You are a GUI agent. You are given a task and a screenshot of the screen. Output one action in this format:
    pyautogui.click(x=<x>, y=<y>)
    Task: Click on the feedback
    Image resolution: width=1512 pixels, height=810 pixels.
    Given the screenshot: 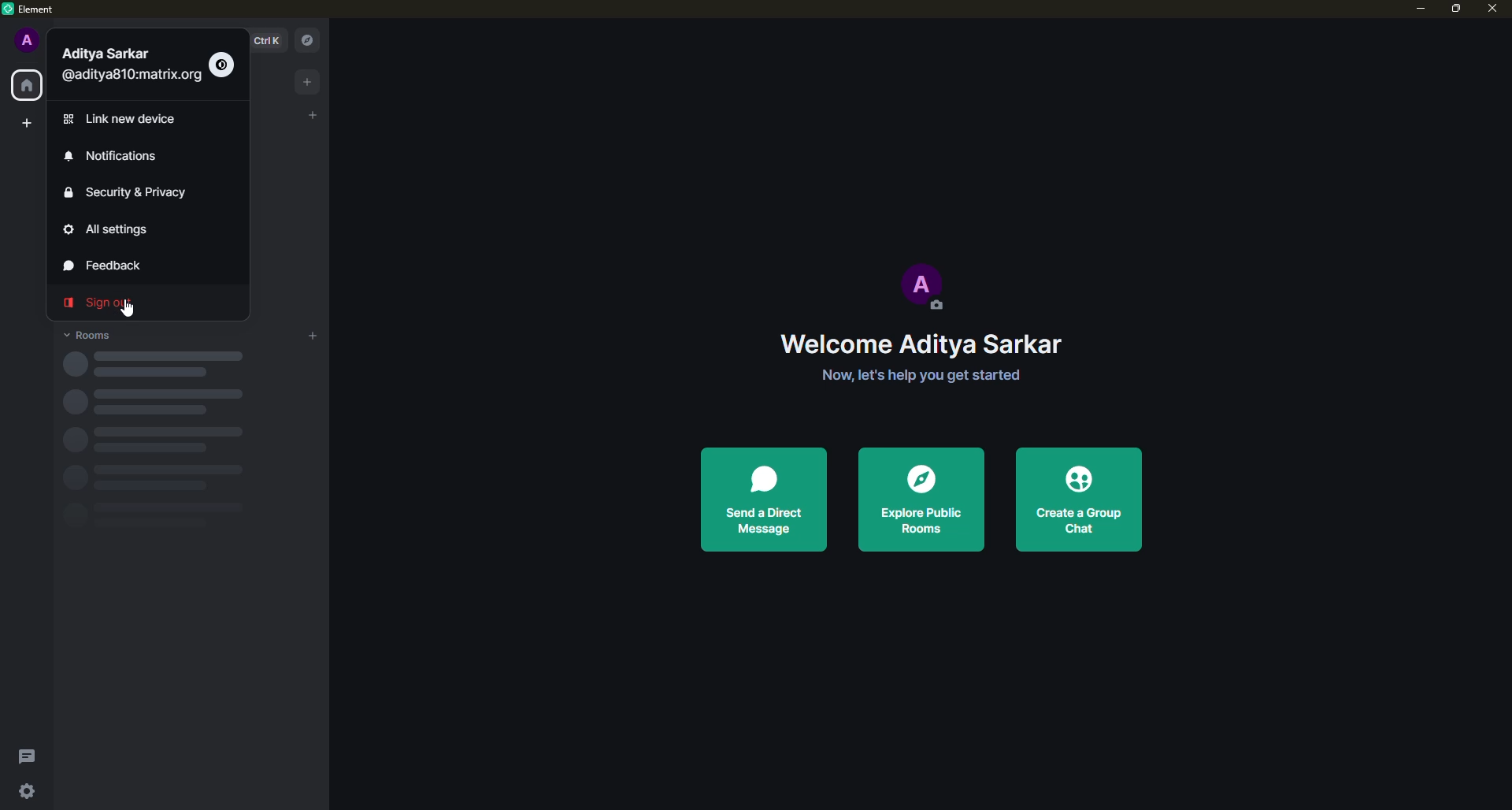 What is the action you would take?
    pyautogui.click(x=113, y=267)
    